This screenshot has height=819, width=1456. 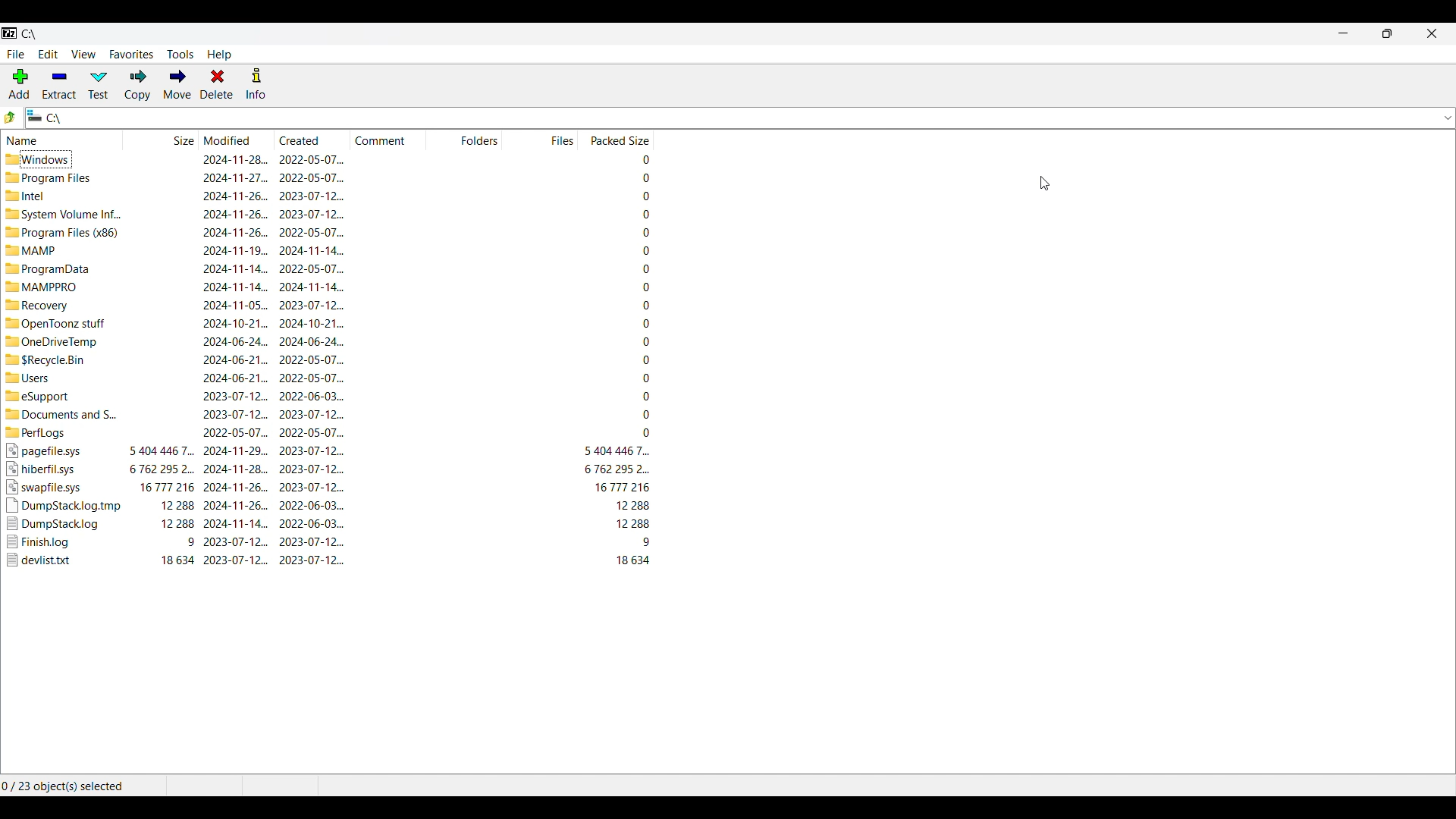 What do you see at coordinates (466, 139) in the screenshot?
I see `Folders column` at bounding box center [466, 139].